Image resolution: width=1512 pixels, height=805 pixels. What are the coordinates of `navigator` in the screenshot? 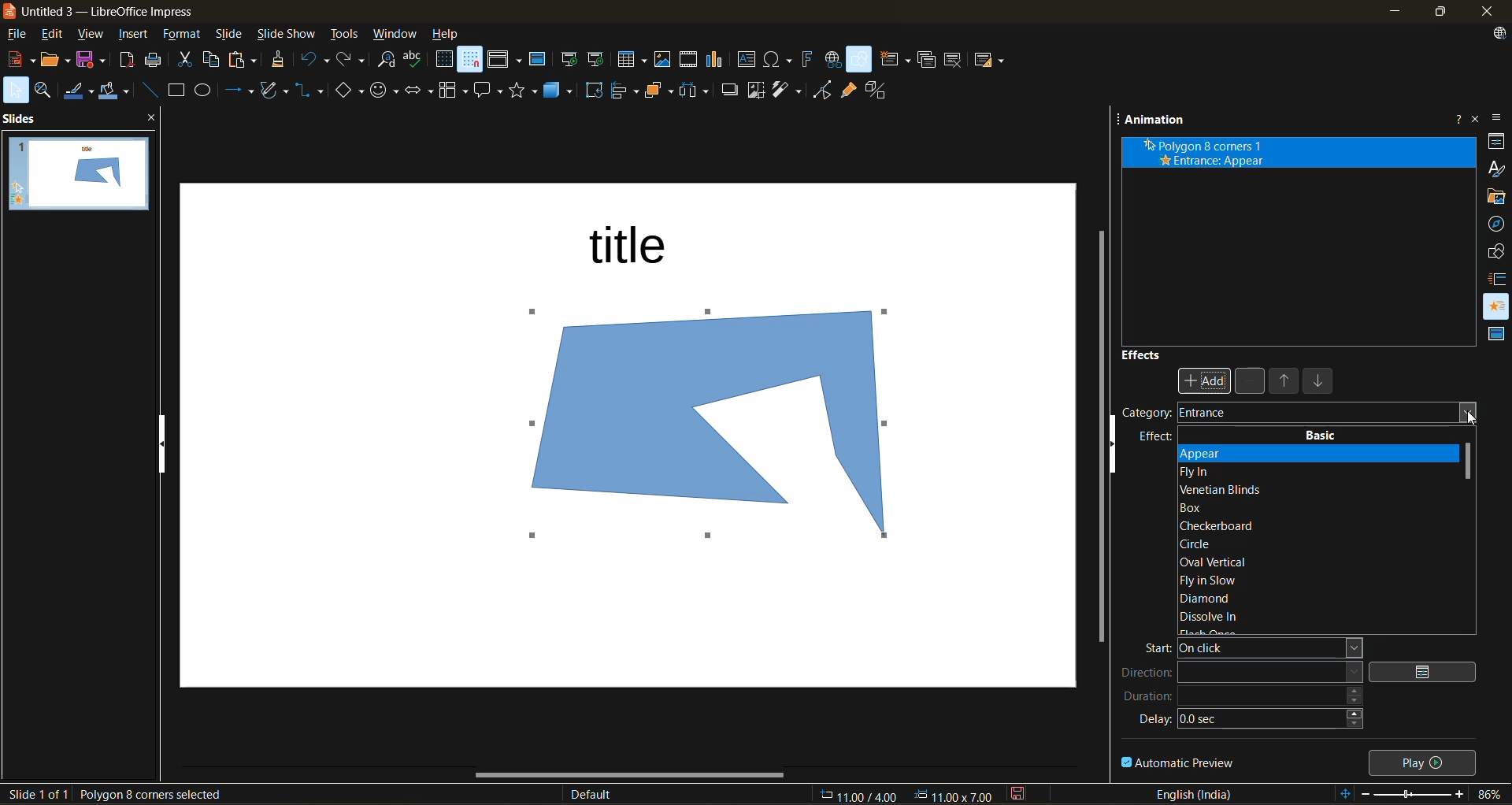 It's located at (1499, 224).